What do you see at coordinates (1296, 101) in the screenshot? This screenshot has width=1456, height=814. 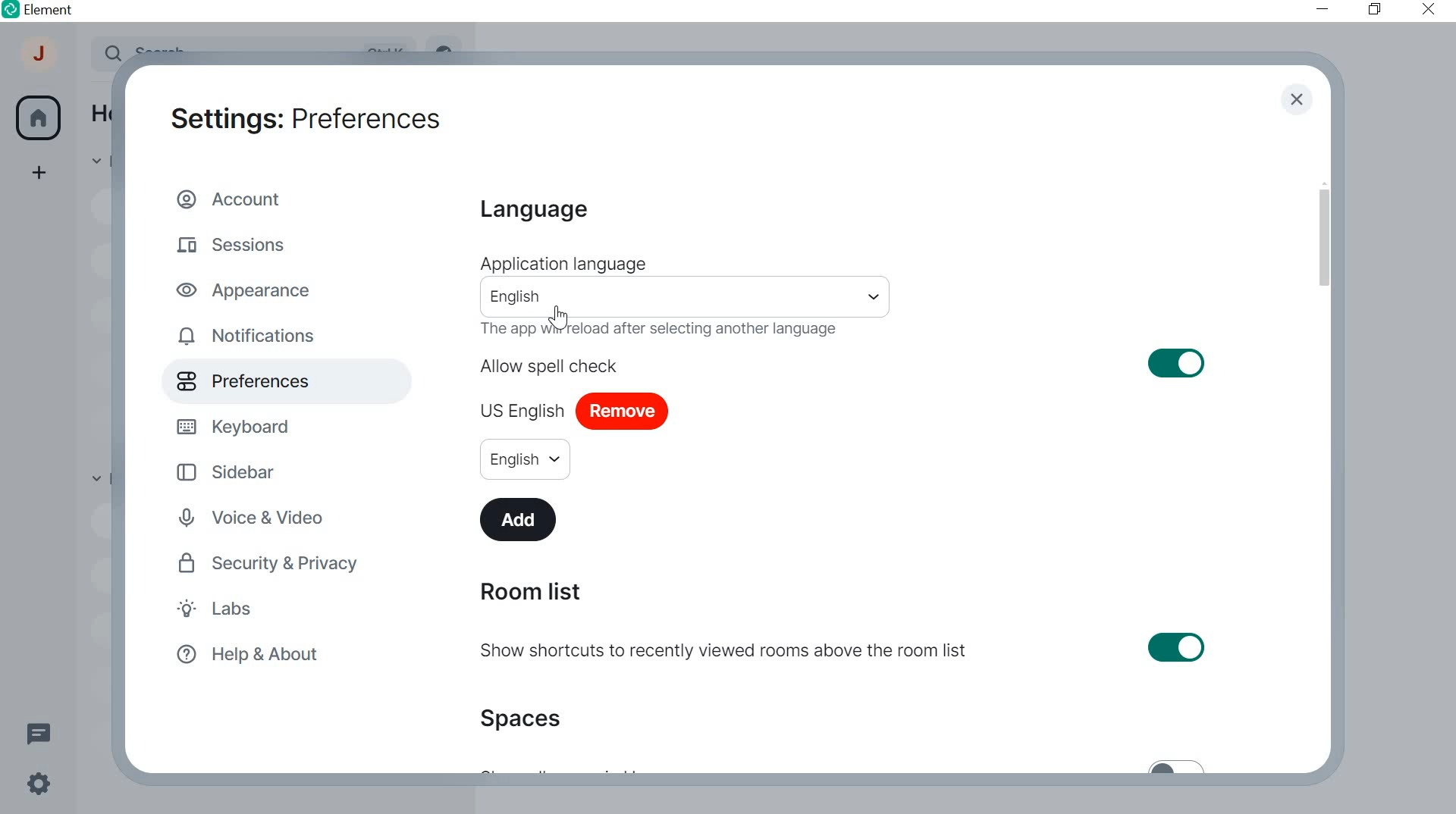 I see `CLOSE` at bounding box center [1296, 101].